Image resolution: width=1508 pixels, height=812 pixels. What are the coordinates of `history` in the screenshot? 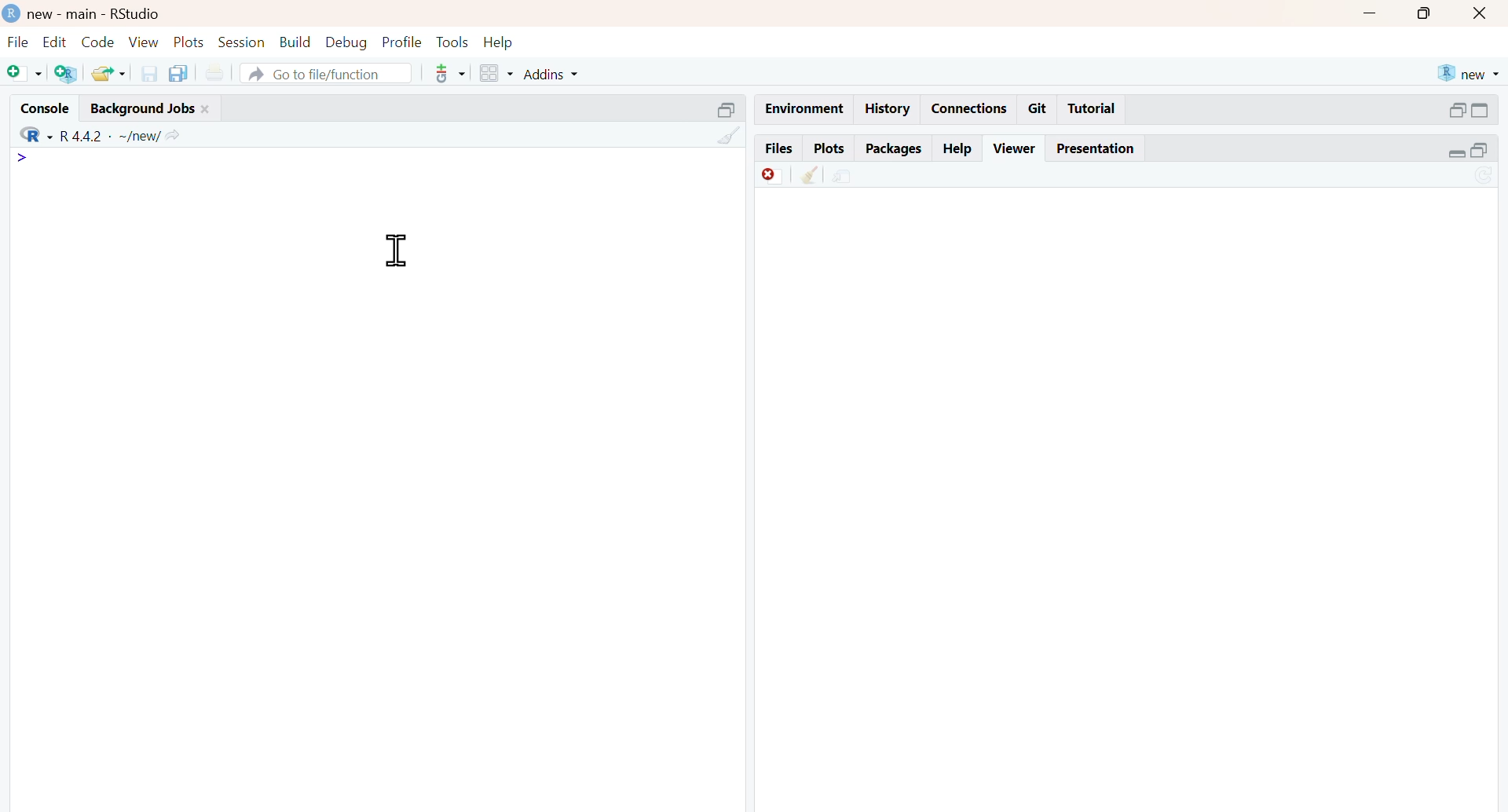 It's located at (888, 108).